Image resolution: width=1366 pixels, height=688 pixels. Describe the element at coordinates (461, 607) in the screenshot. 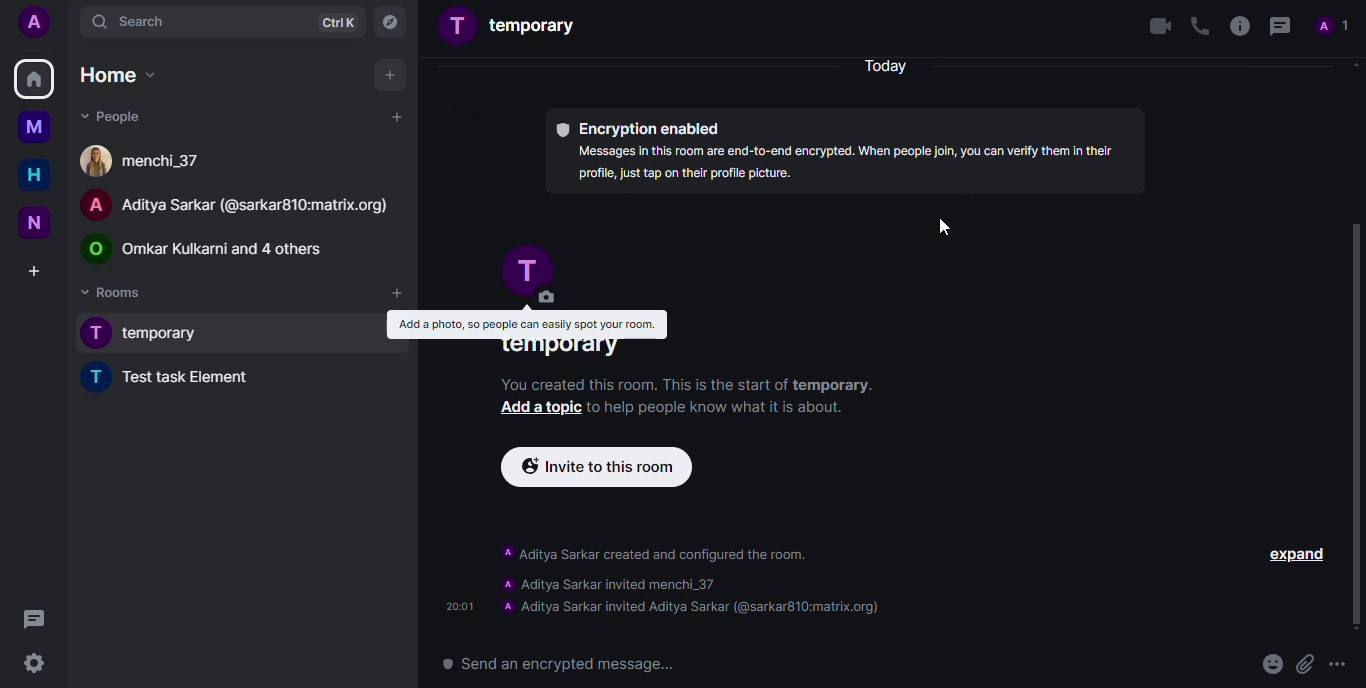

I see `time` at that location.